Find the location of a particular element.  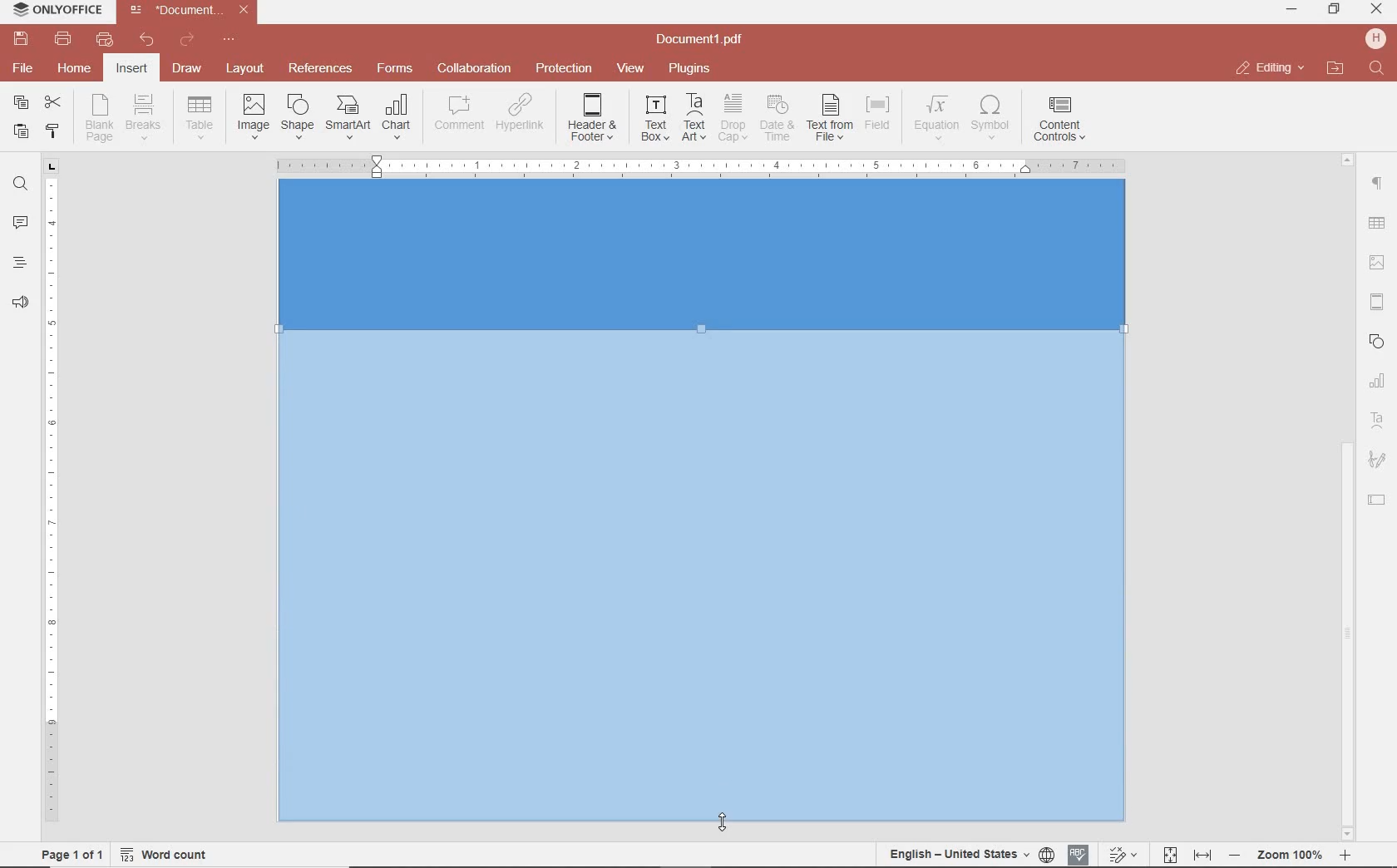

 is located at coordinates (701, 257).